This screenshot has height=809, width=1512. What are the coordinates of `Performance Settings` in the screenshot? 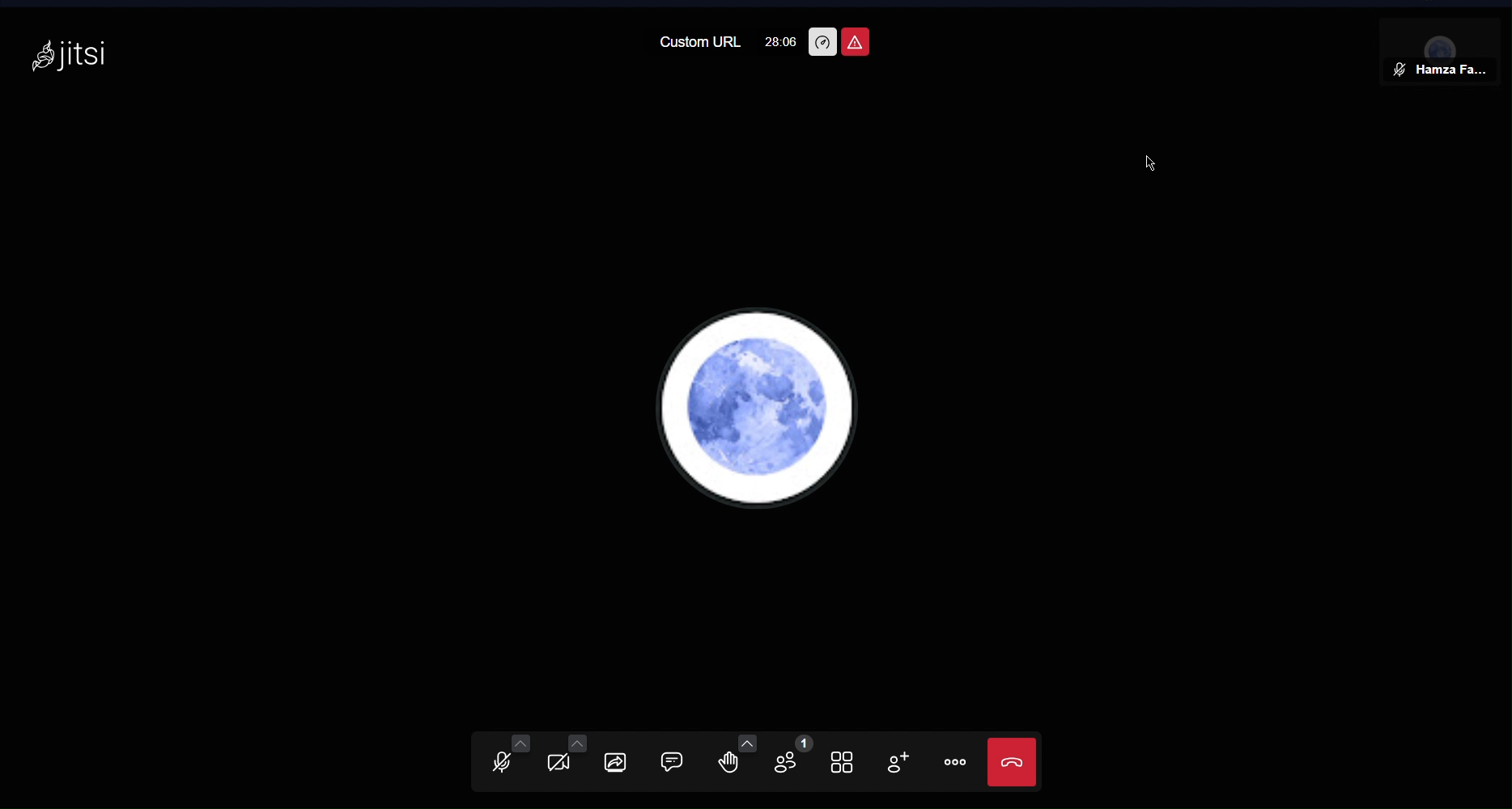 It's located at (822, 42).